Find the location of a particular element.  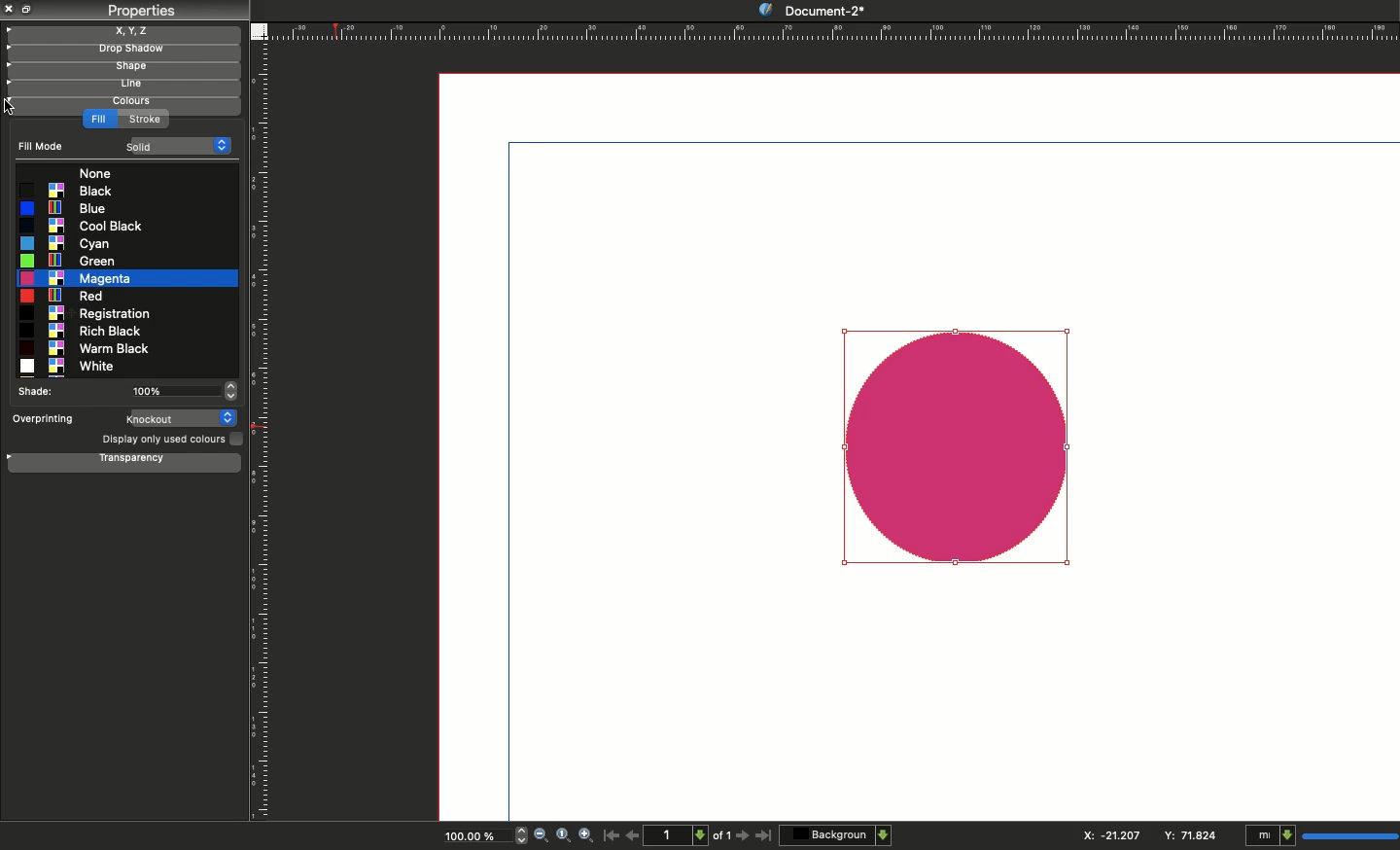

Zoom to is located at coordinates (563, 834).